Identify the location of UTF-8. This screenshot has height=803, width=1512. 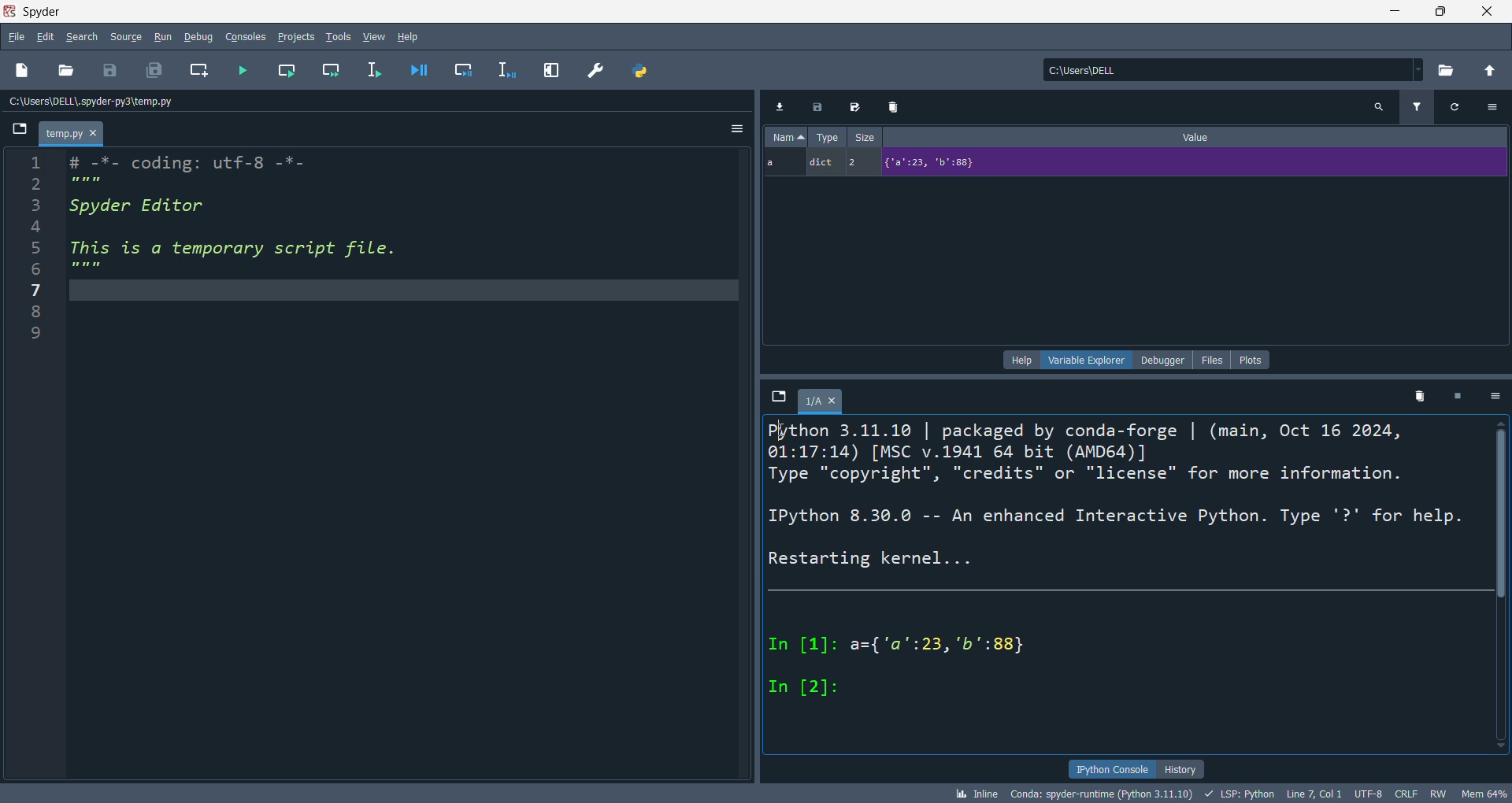
(1366, 794).